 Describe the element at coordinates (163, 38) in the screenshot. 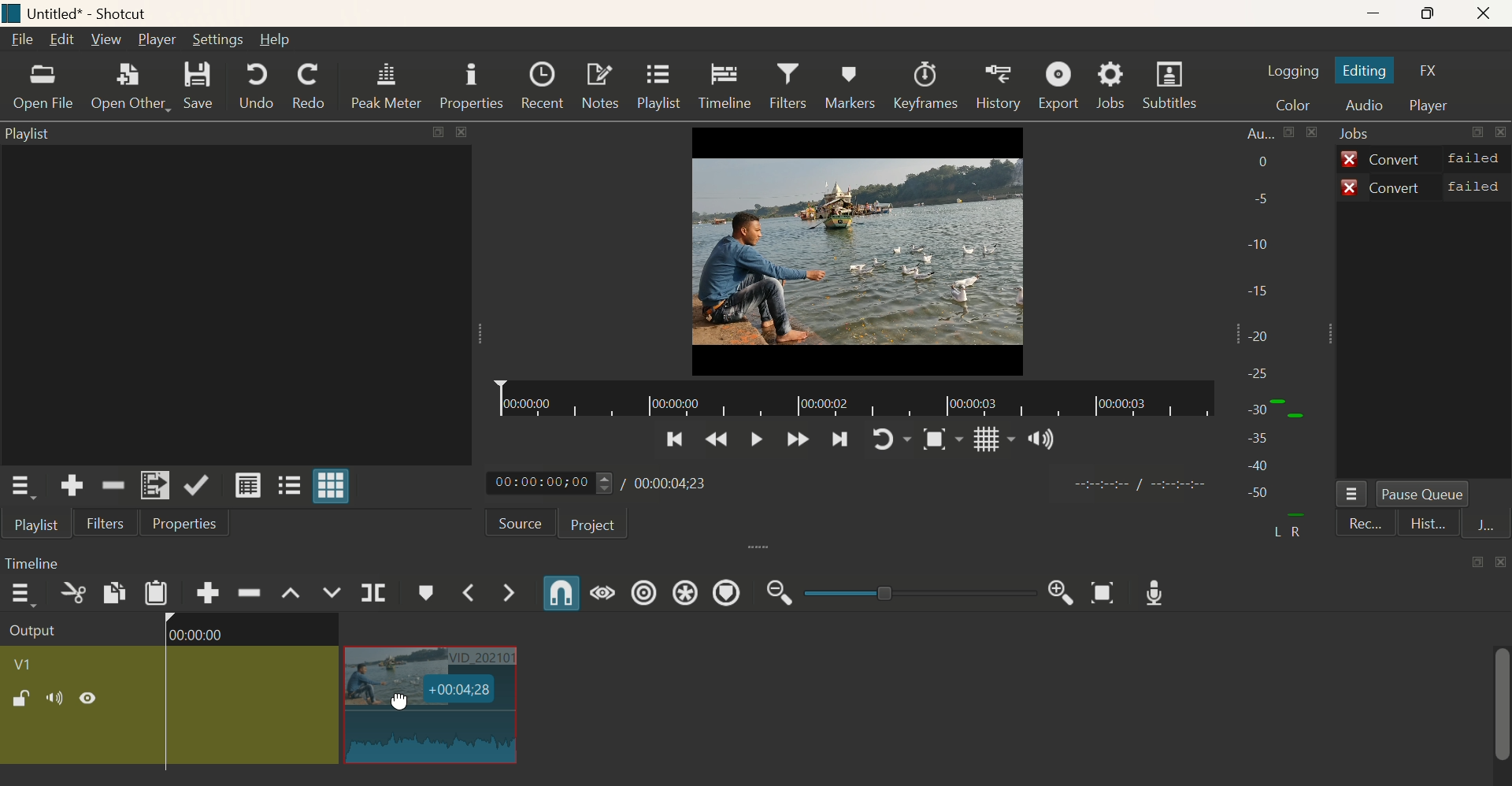

I see `` at that location.